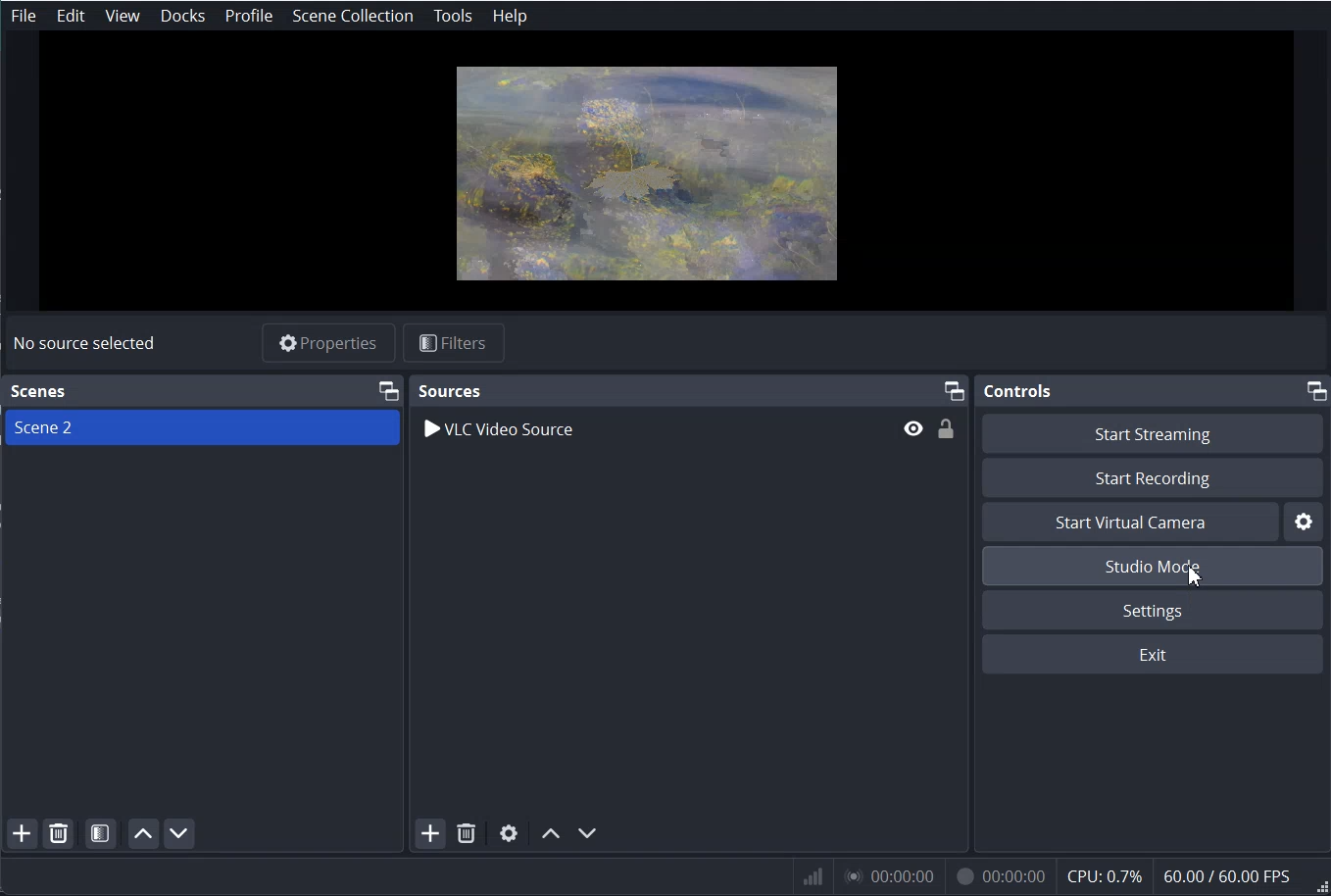 Image resolution: width=1331 pixels, height=896 pixels. Describe the element at coordinates (24, 17) in the screenshot. I see `File` at that location.